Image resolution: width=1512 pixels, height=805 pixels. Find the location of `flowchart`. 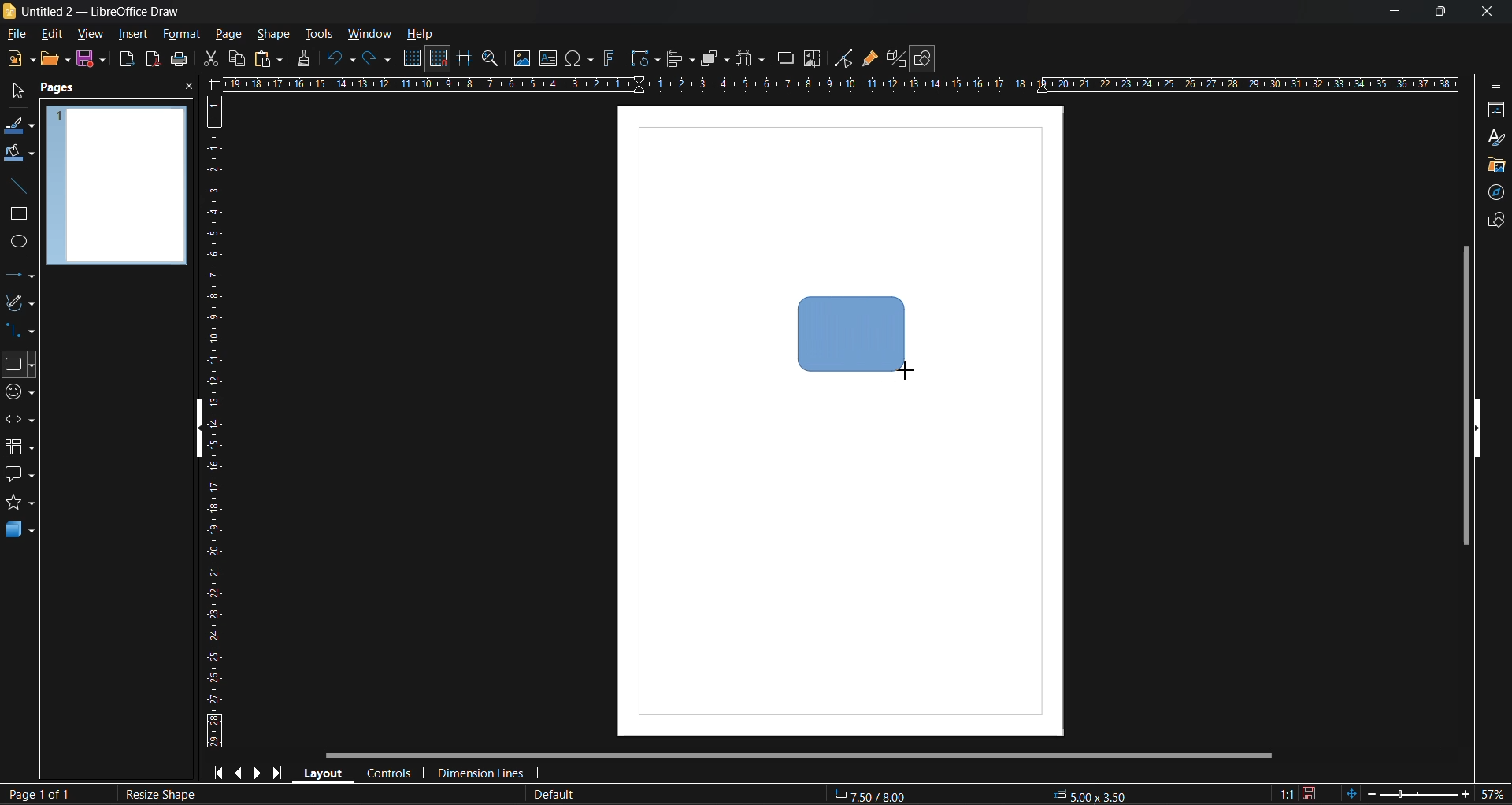

flowchart is located at coordinates (19, 447).